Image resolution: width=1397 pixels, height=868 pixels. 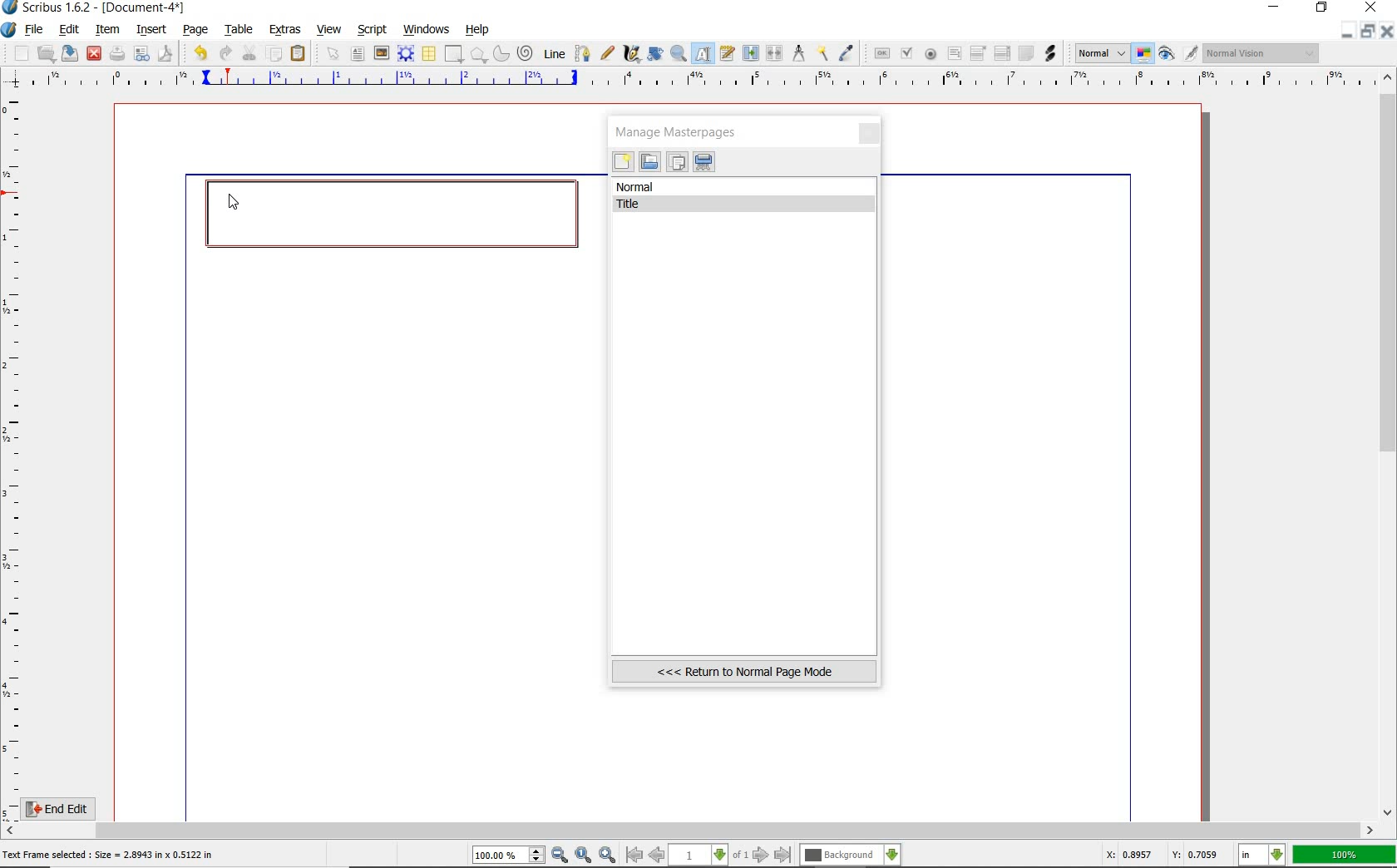 I want to click on ruler, so click(x=15, y=454).